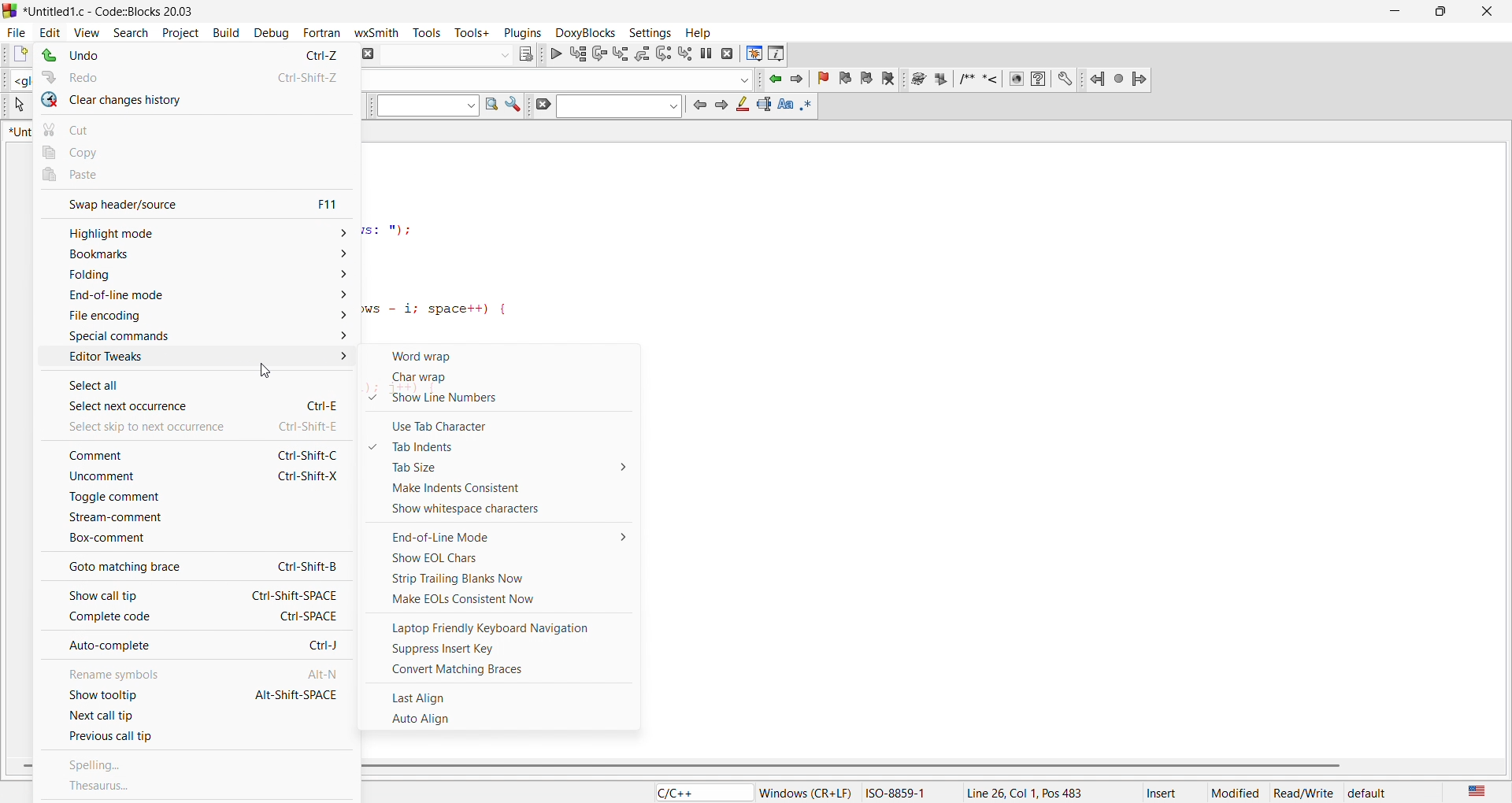  Describe the element at coordinates (1114, 79) in the screenshot. I see `jump icon` at that location.